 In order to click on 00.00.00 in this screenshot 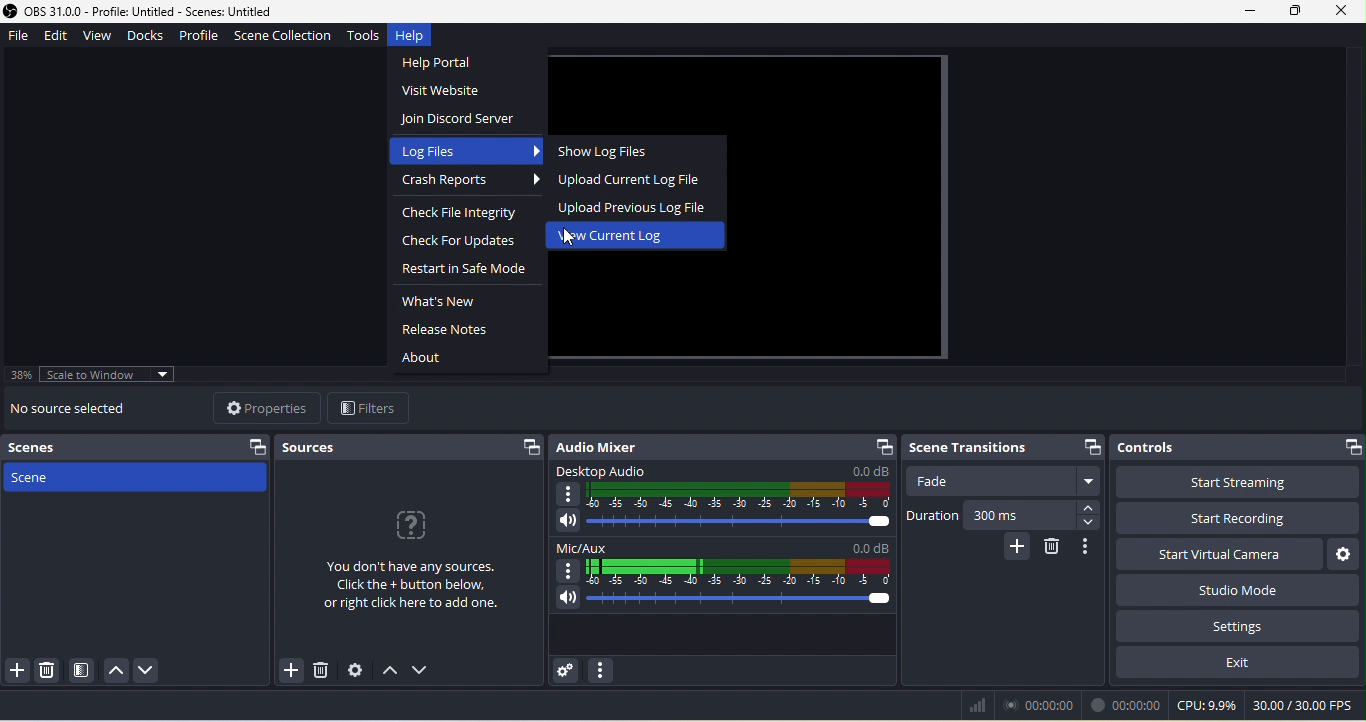, I will do `click(1045, 705)`.